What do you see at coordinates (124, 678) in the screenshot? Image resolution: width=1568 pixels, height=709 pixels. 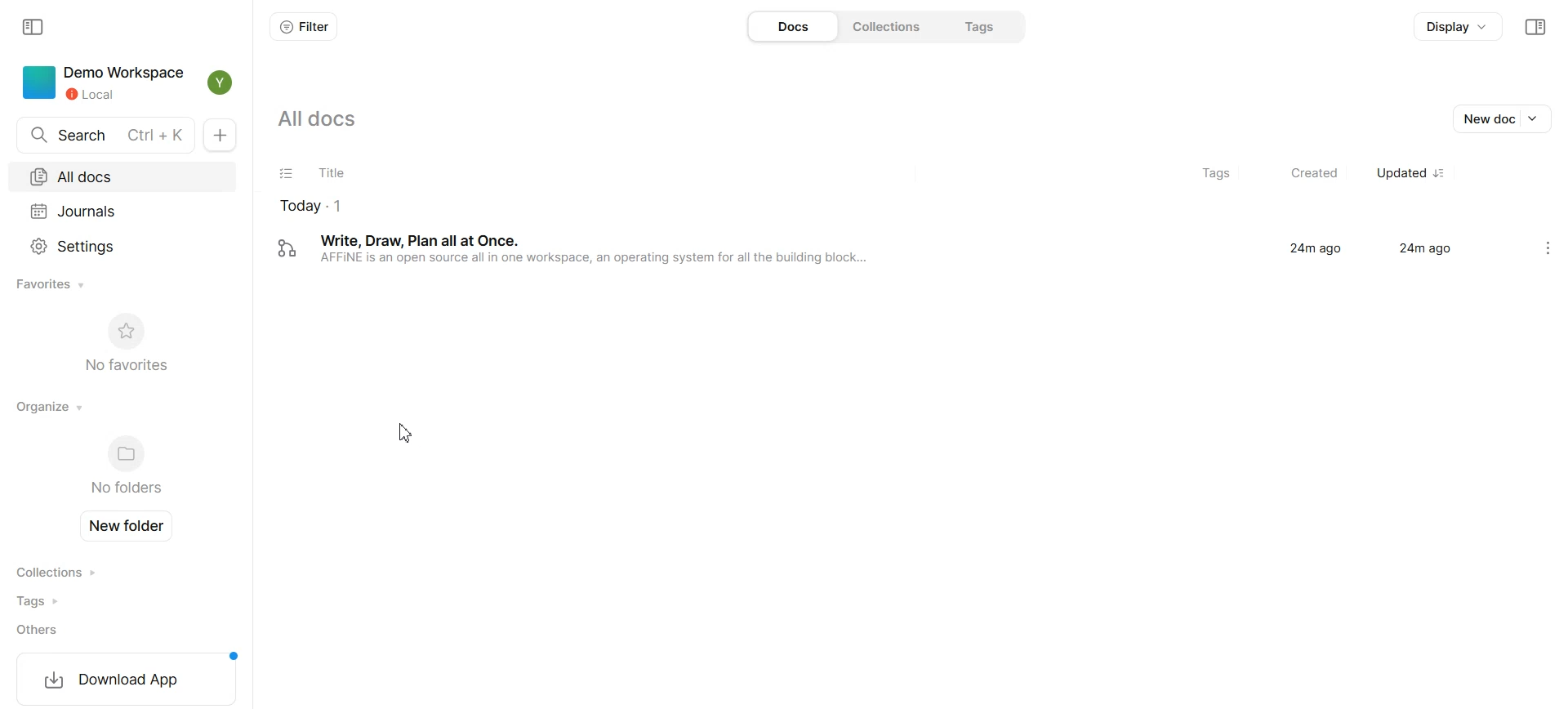 I see `Download App` at bounding box center [124, 678].